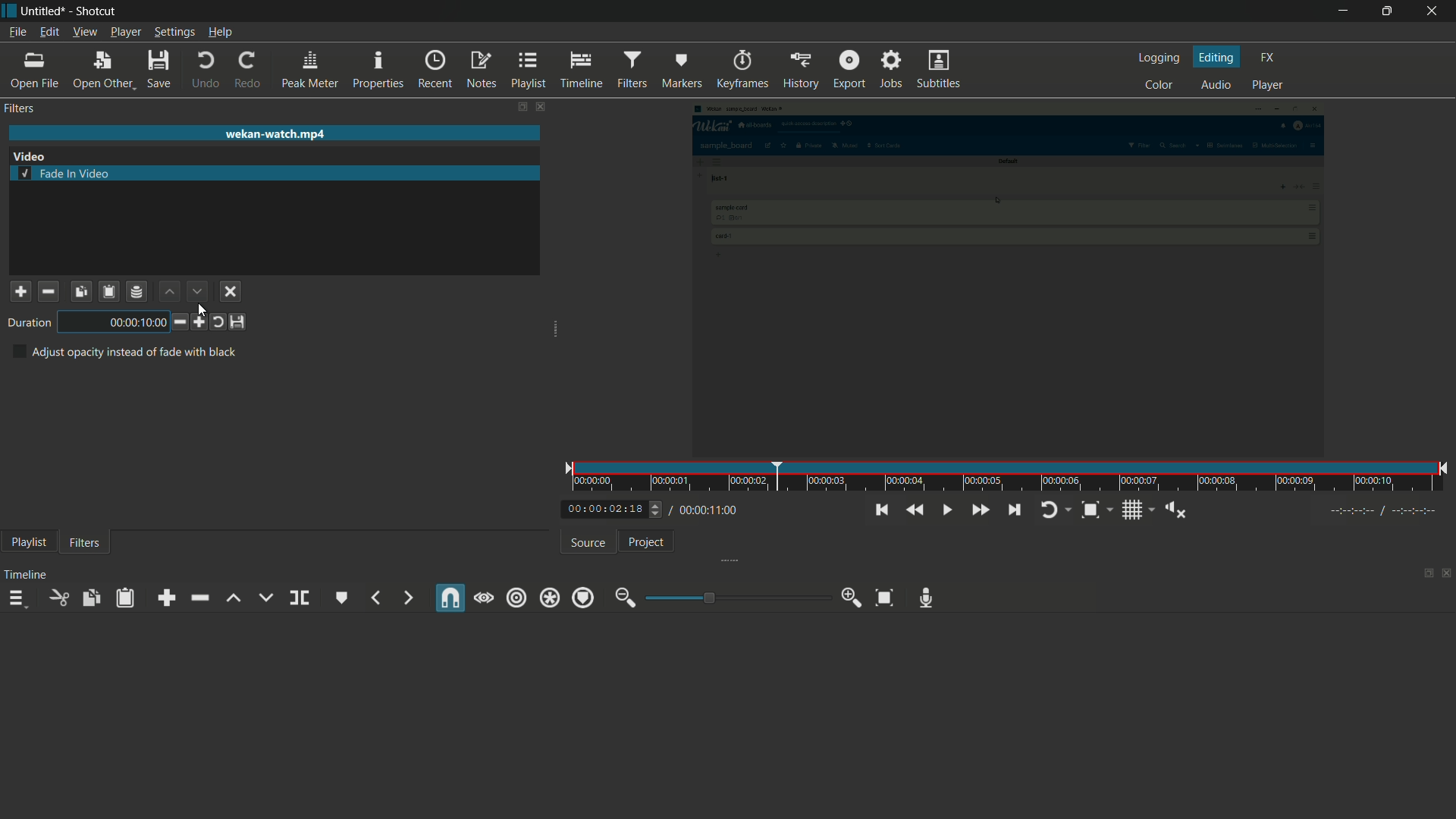  What do you see at coordinates (452, 598) in the screenshot?
I see `snap` at bounding box center [452, 598].